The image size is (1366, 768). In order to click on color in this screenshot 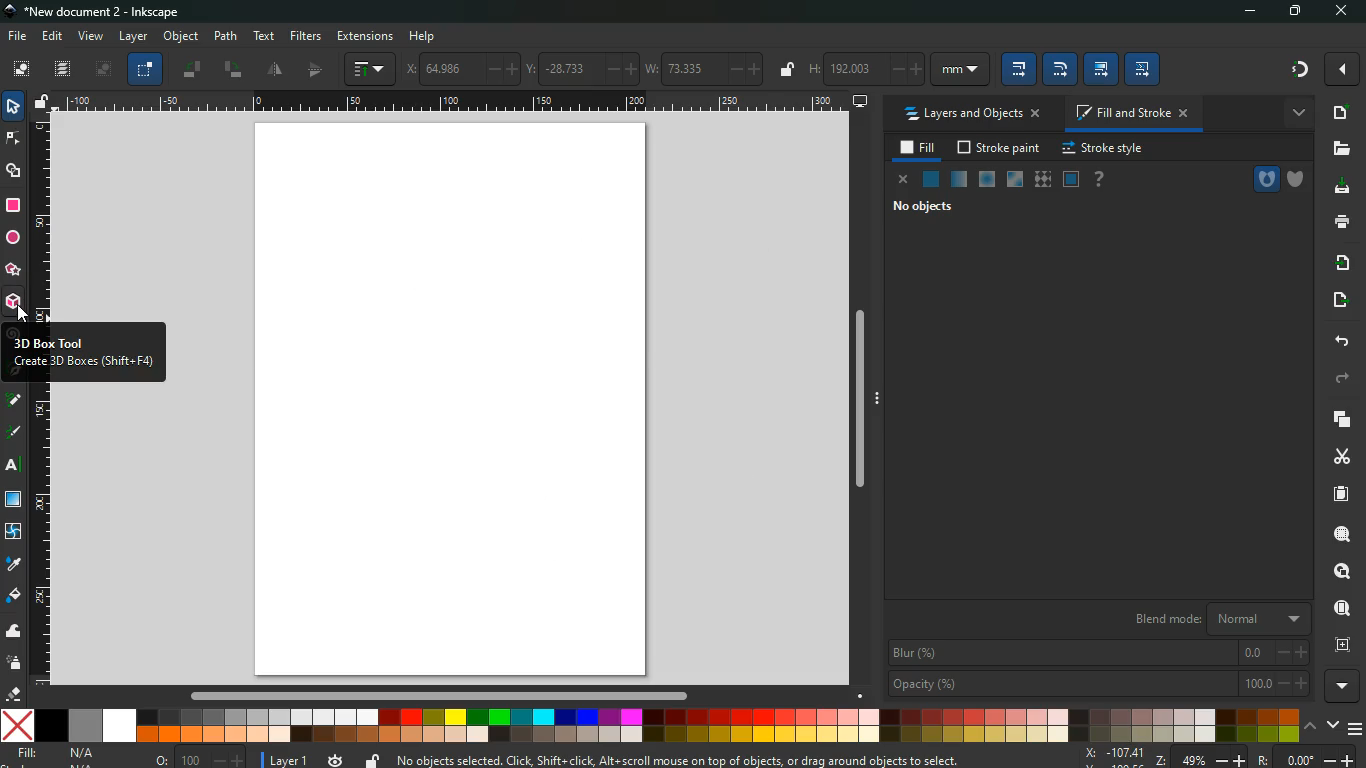, I will do `click(651, 725)`.